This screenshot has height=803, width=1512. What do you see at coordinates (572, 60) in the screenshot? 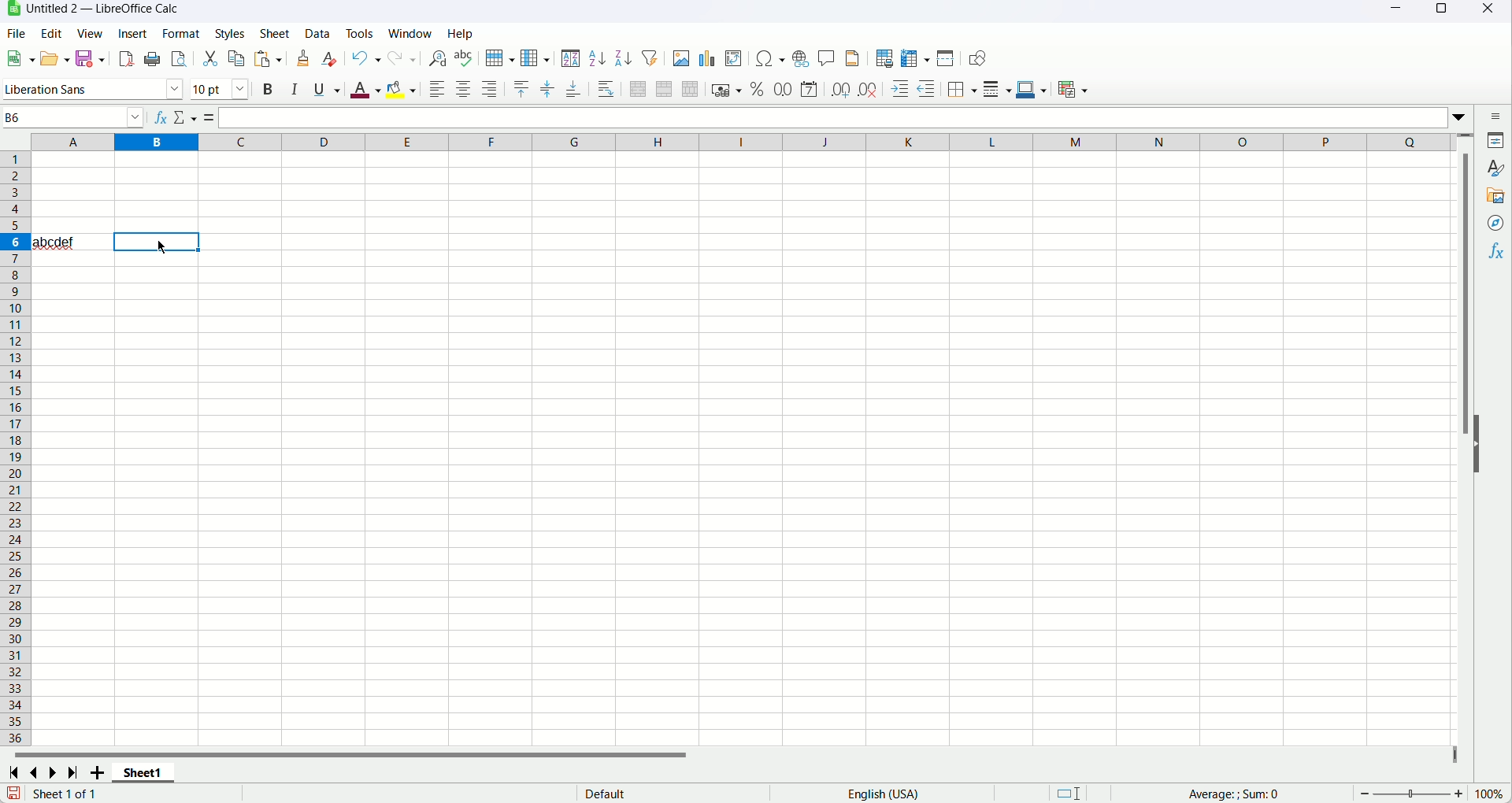
I see `sort` at bounding box center [572, 60].